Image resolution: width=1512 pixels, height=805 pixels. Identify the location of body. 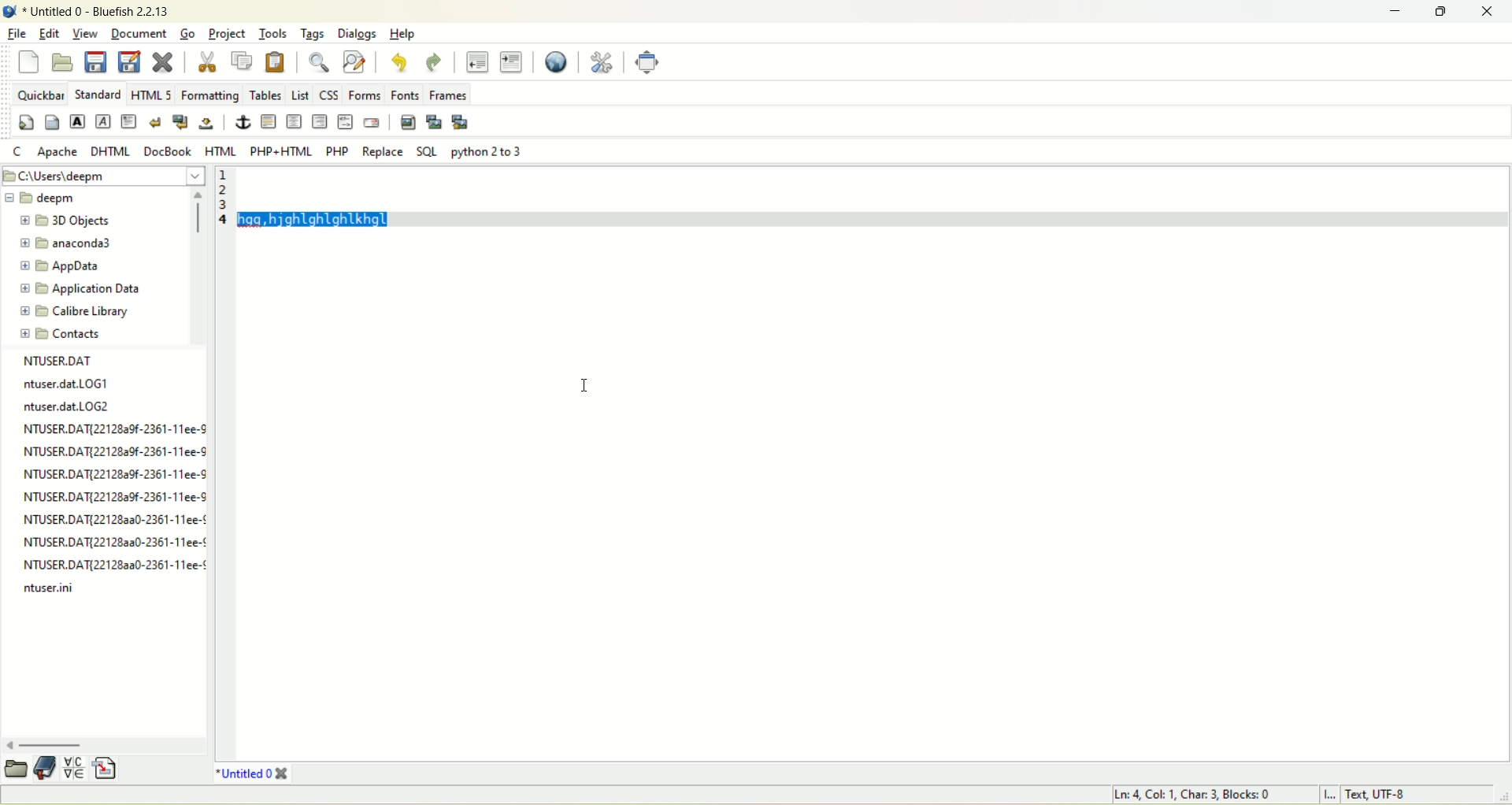
(51, 121).